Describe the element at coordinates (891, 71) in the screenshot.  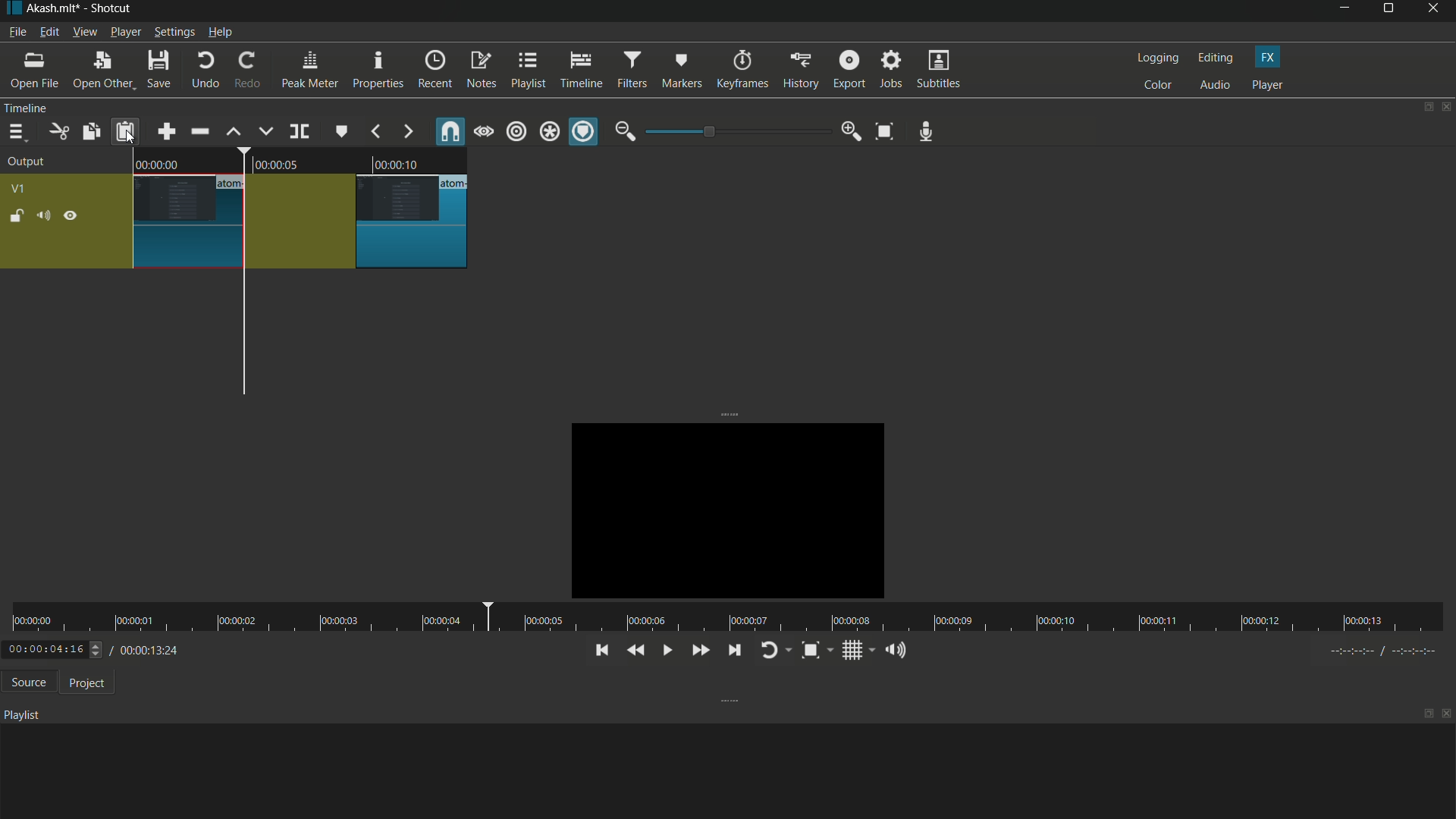
I see `jobs` at that location.